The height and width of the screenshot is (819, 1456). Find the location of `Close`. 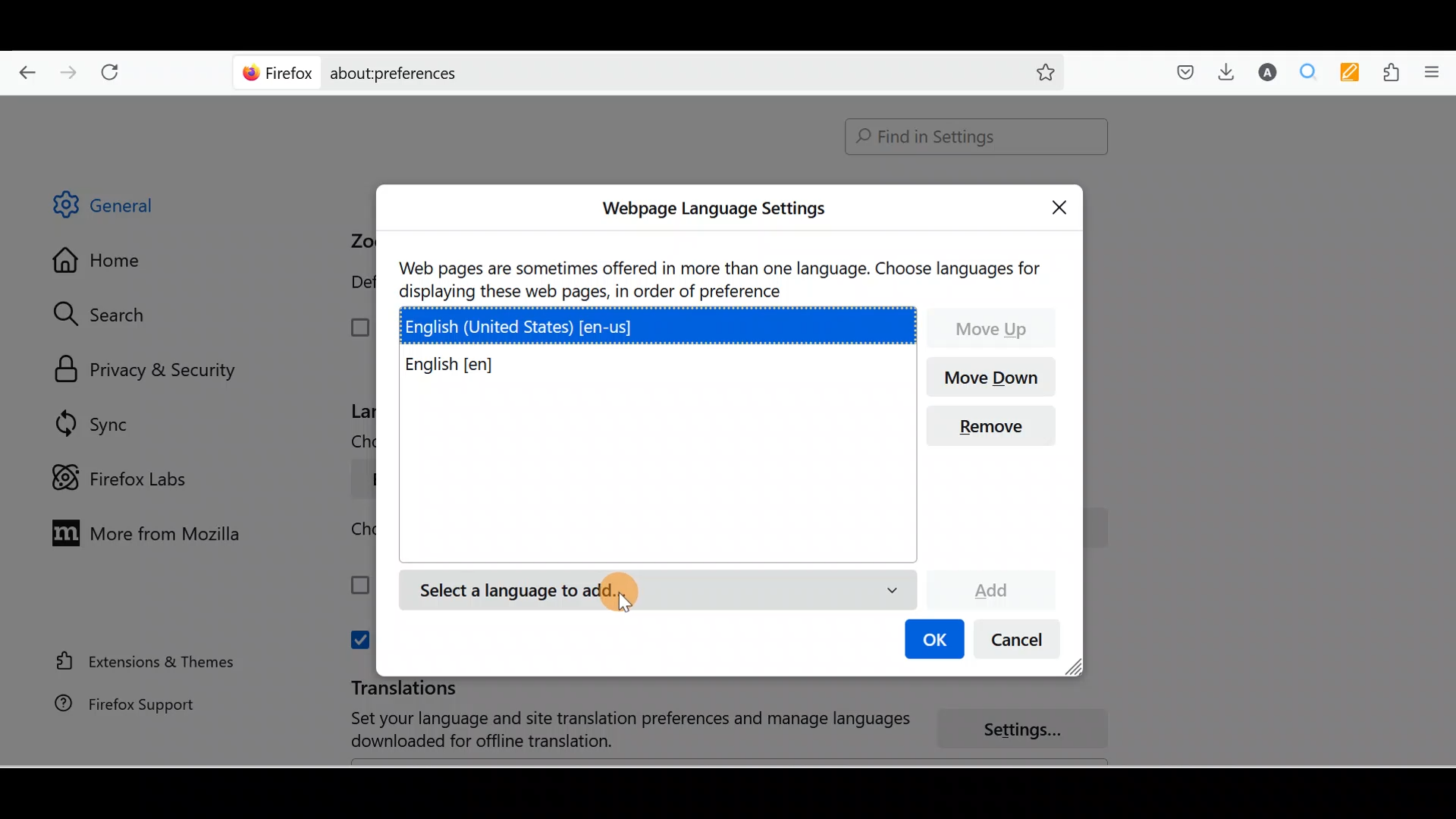

Close is located at coordinates (1063, 205).